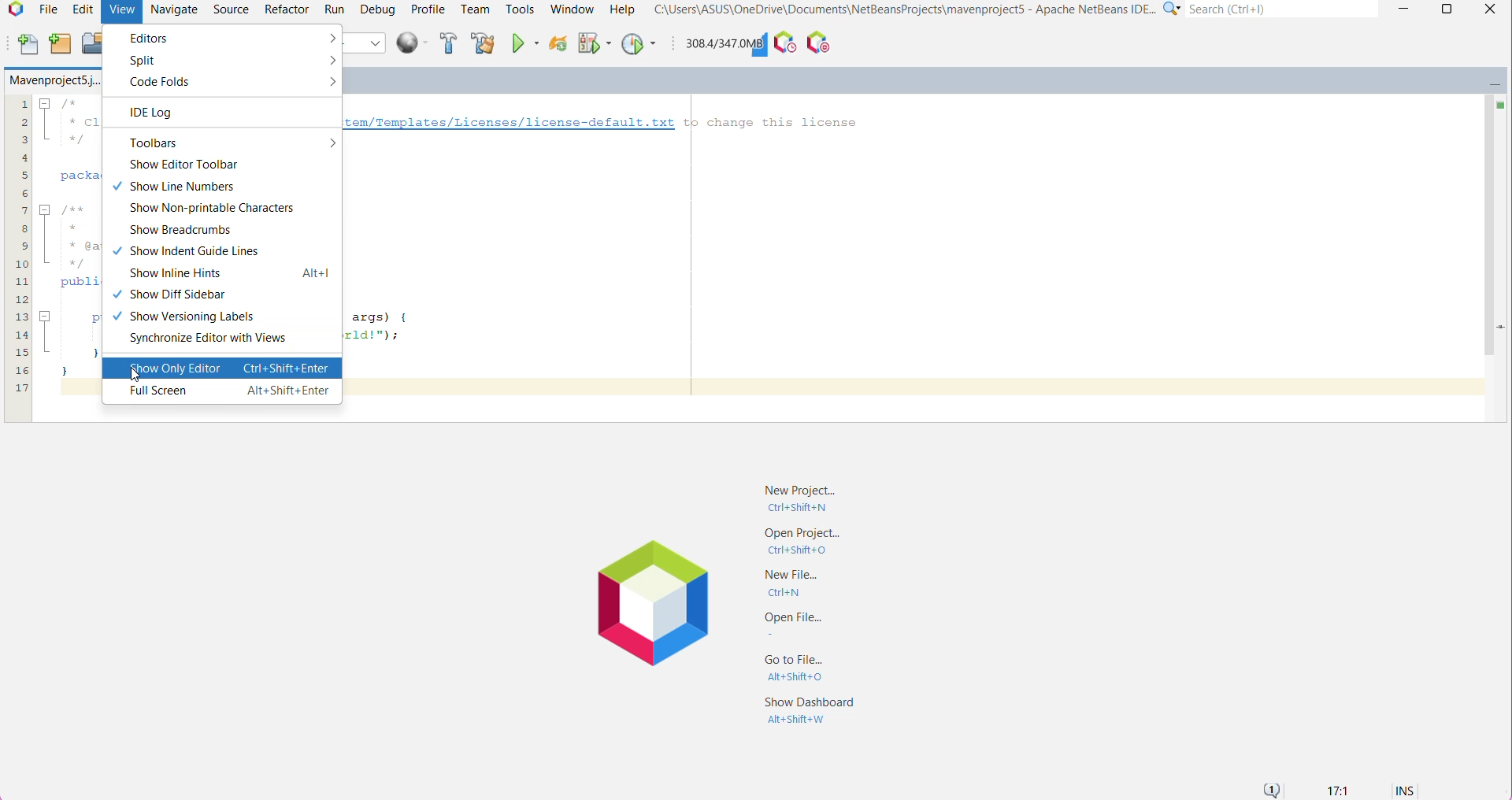 This screenshot has width=1512, height=800. Describe the element at coordinates (449, 44) in the screenshot. I see `Build Project` at that location.